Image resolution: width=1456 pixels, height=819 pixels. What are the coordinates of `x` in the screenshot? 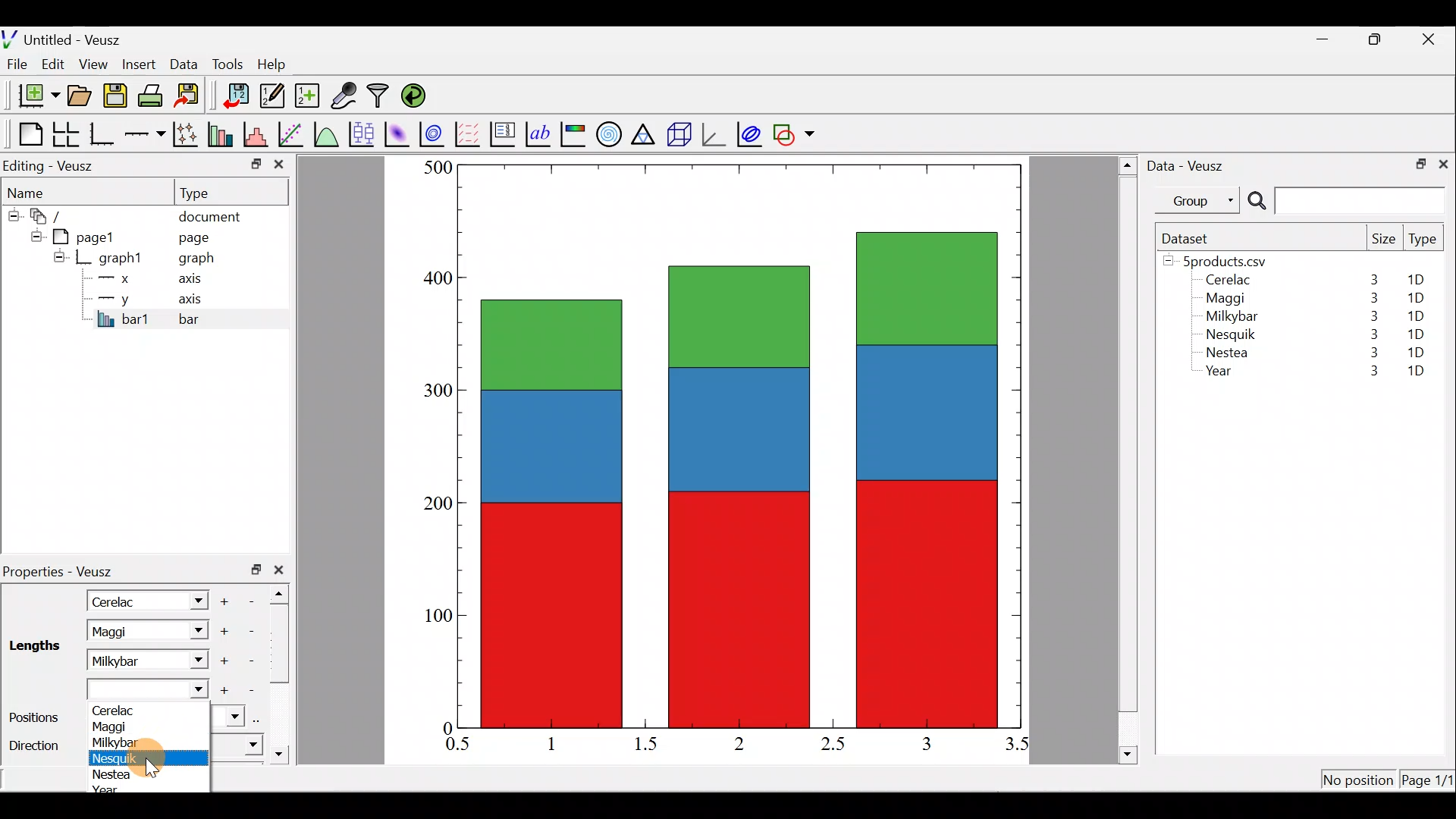 It's located at (118, 278).